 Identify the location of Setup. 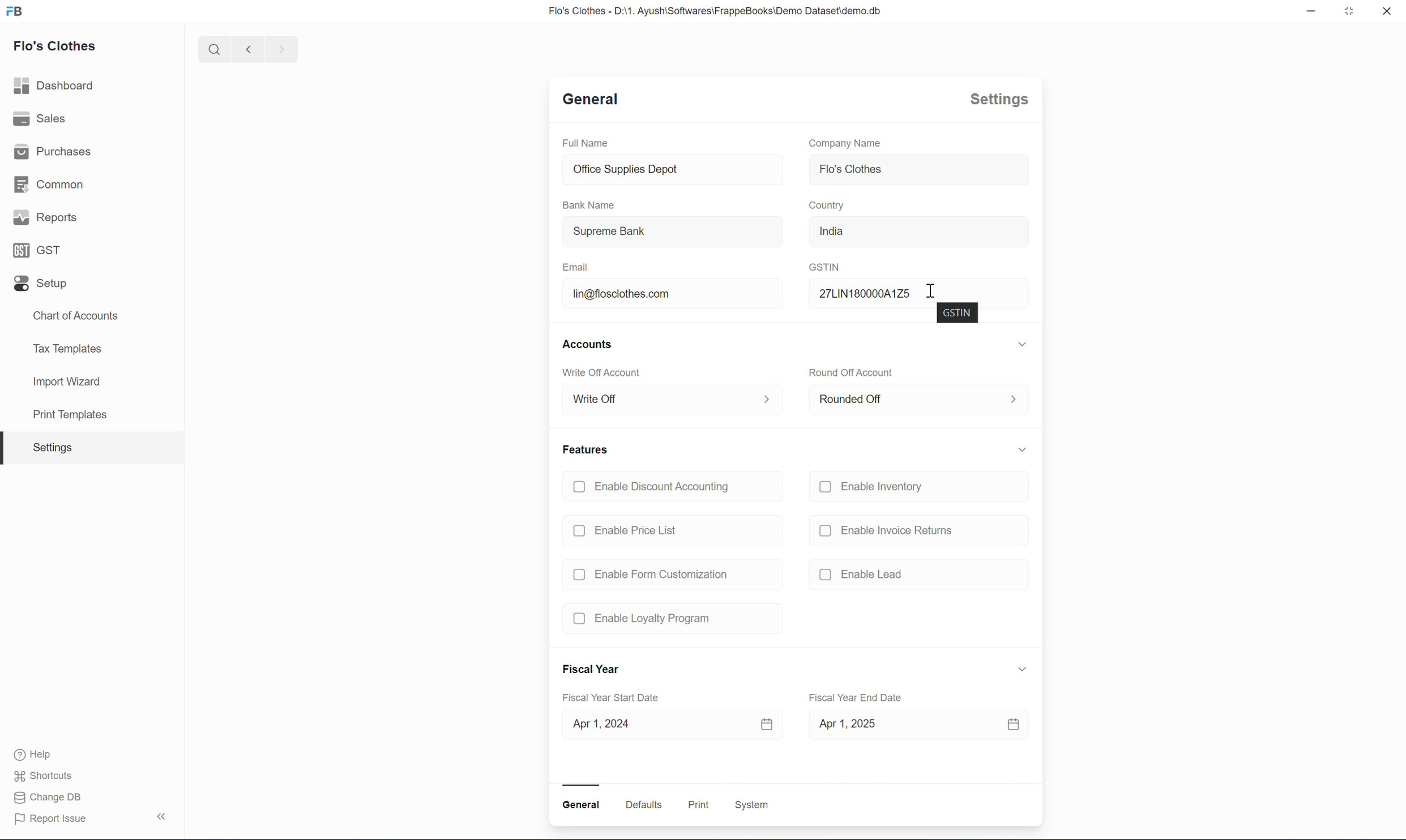
(41, 283).